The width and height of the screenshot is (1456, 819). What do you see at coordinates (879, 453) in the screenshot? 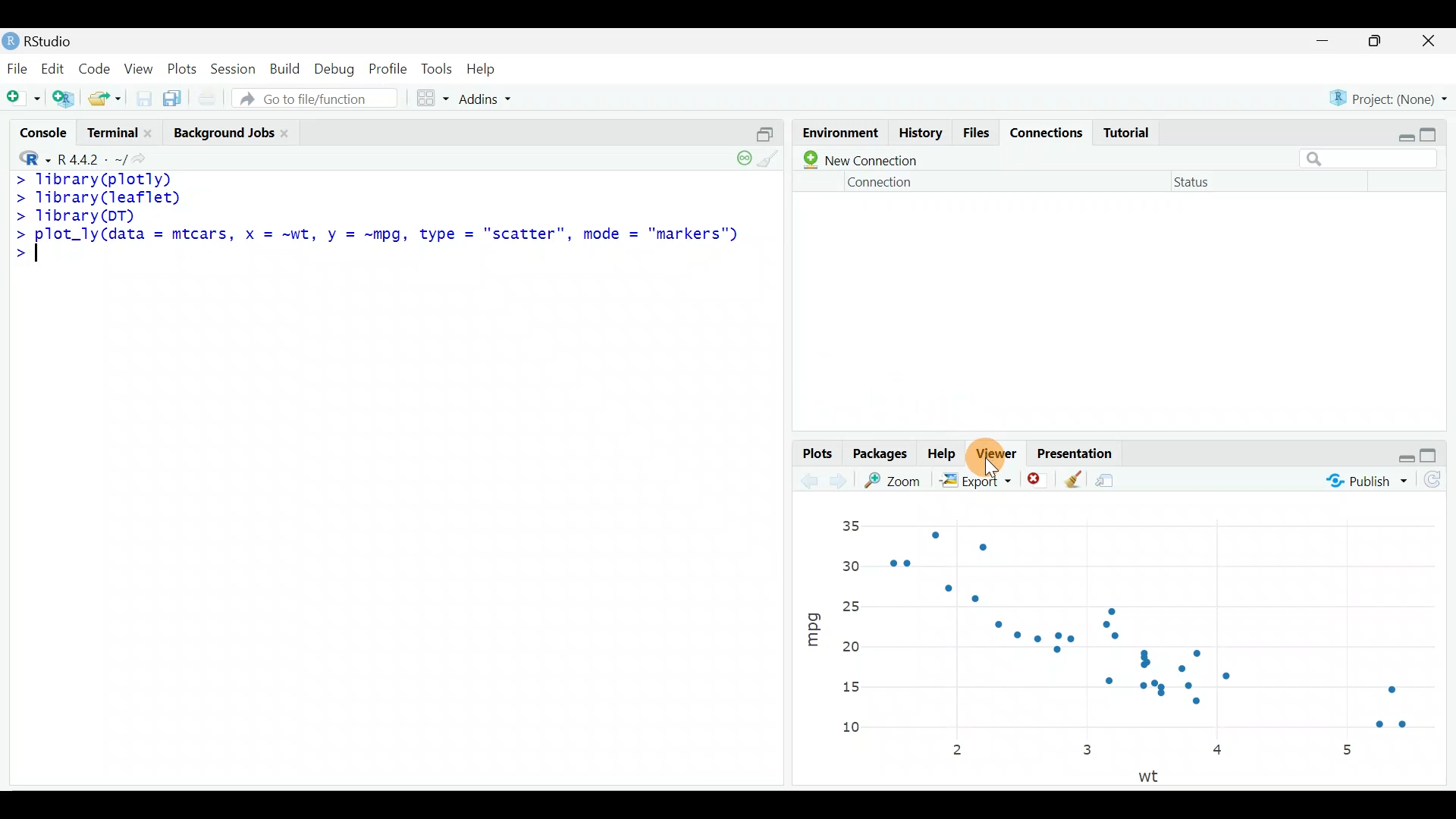
I see `Packages` at bounding box center [879, 453].